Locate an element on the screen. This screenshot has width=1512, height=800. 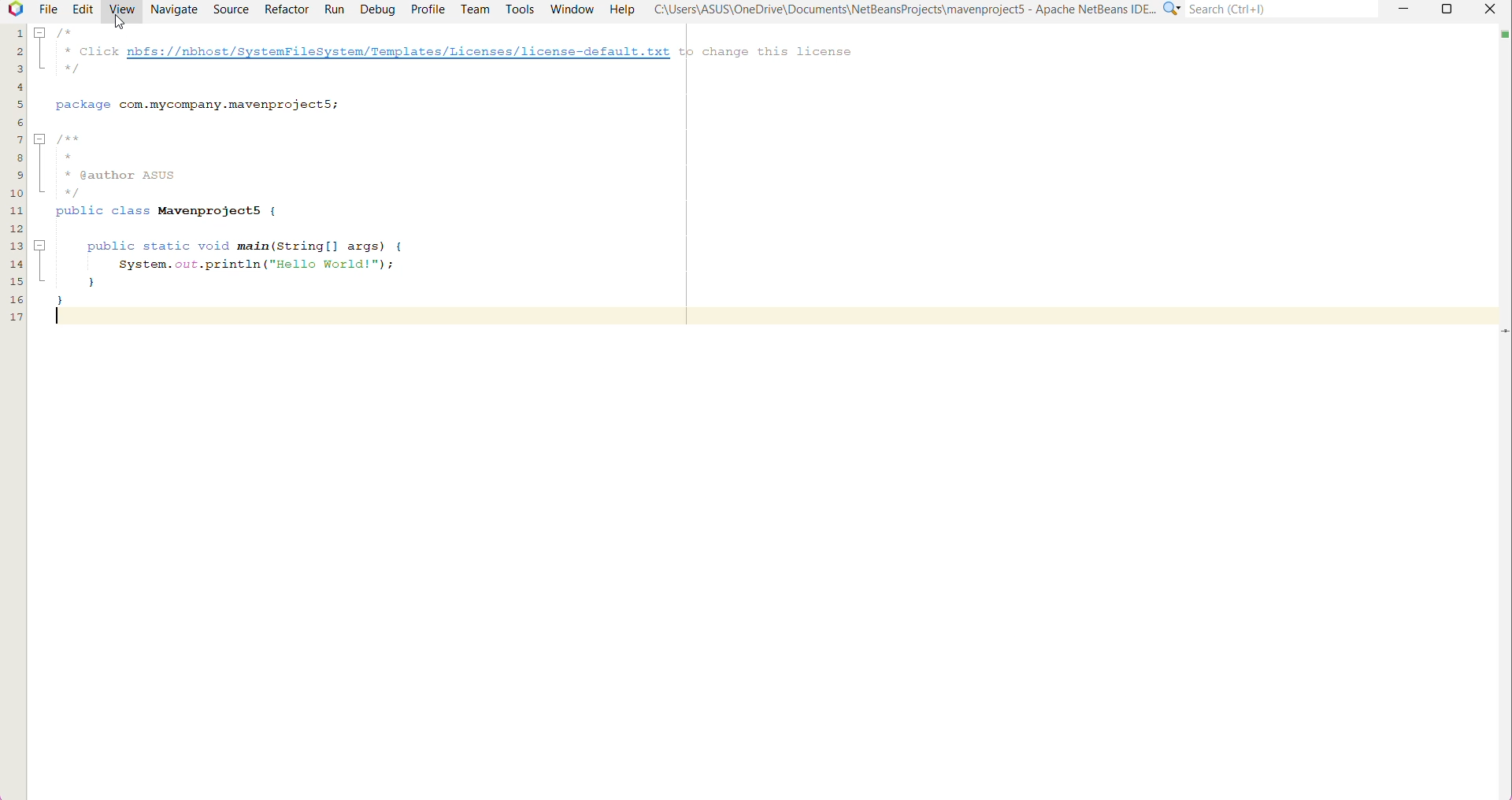
close is located at coordinates (1490, 11).